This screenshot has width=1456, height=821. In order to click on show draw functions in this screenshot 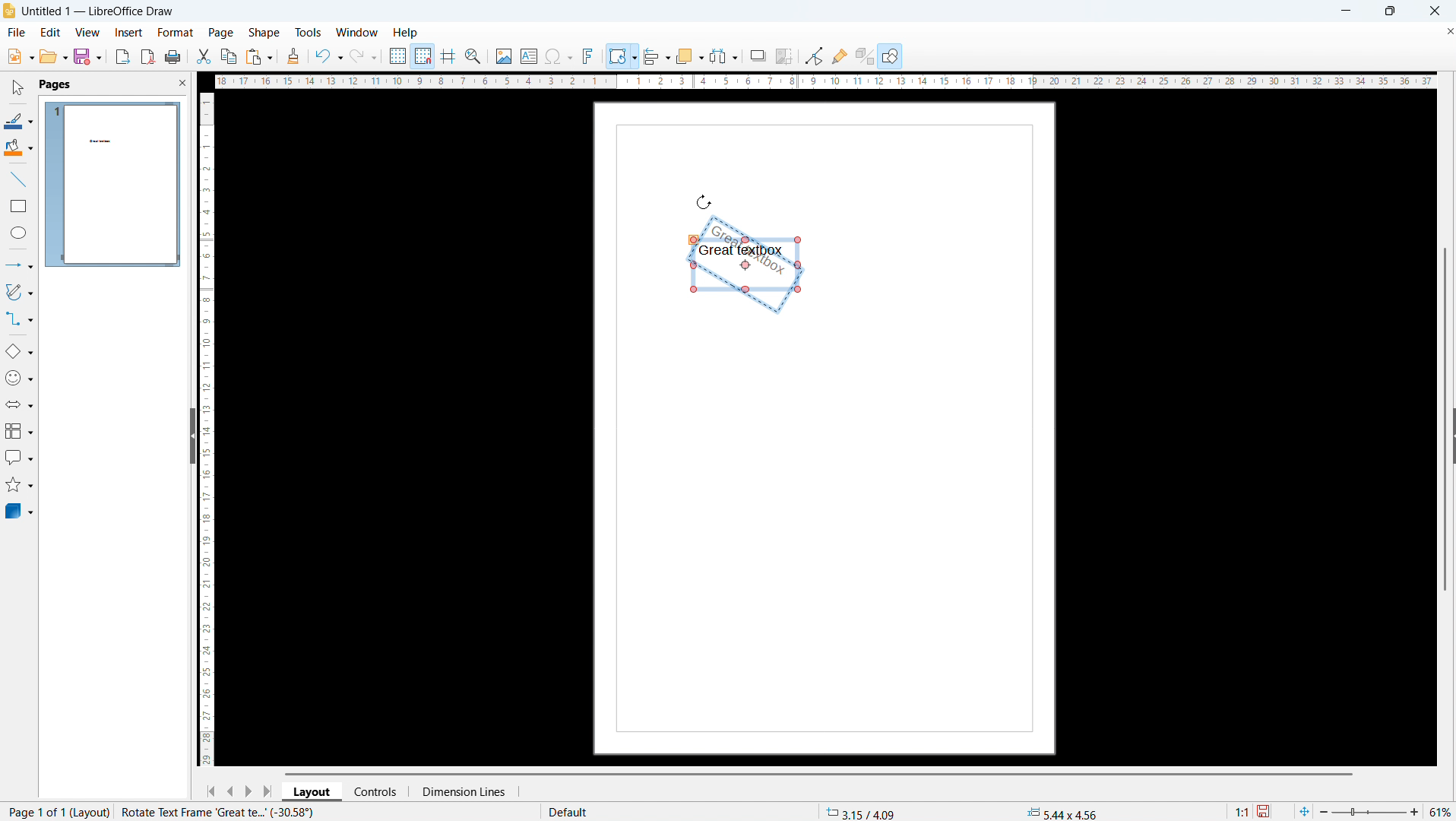, I will do `click(890, 57)`.